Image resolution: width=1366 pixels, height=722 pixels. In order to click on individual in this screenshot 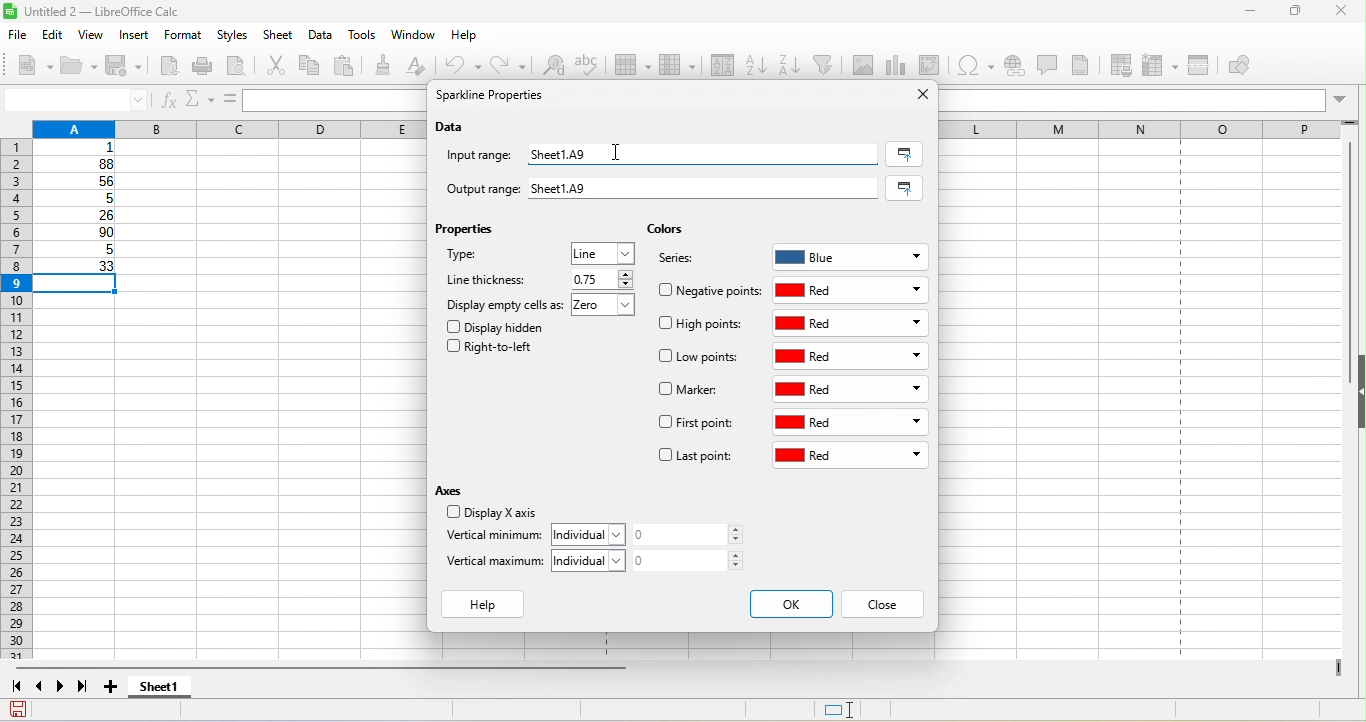, I will do `click(593, 533)`.